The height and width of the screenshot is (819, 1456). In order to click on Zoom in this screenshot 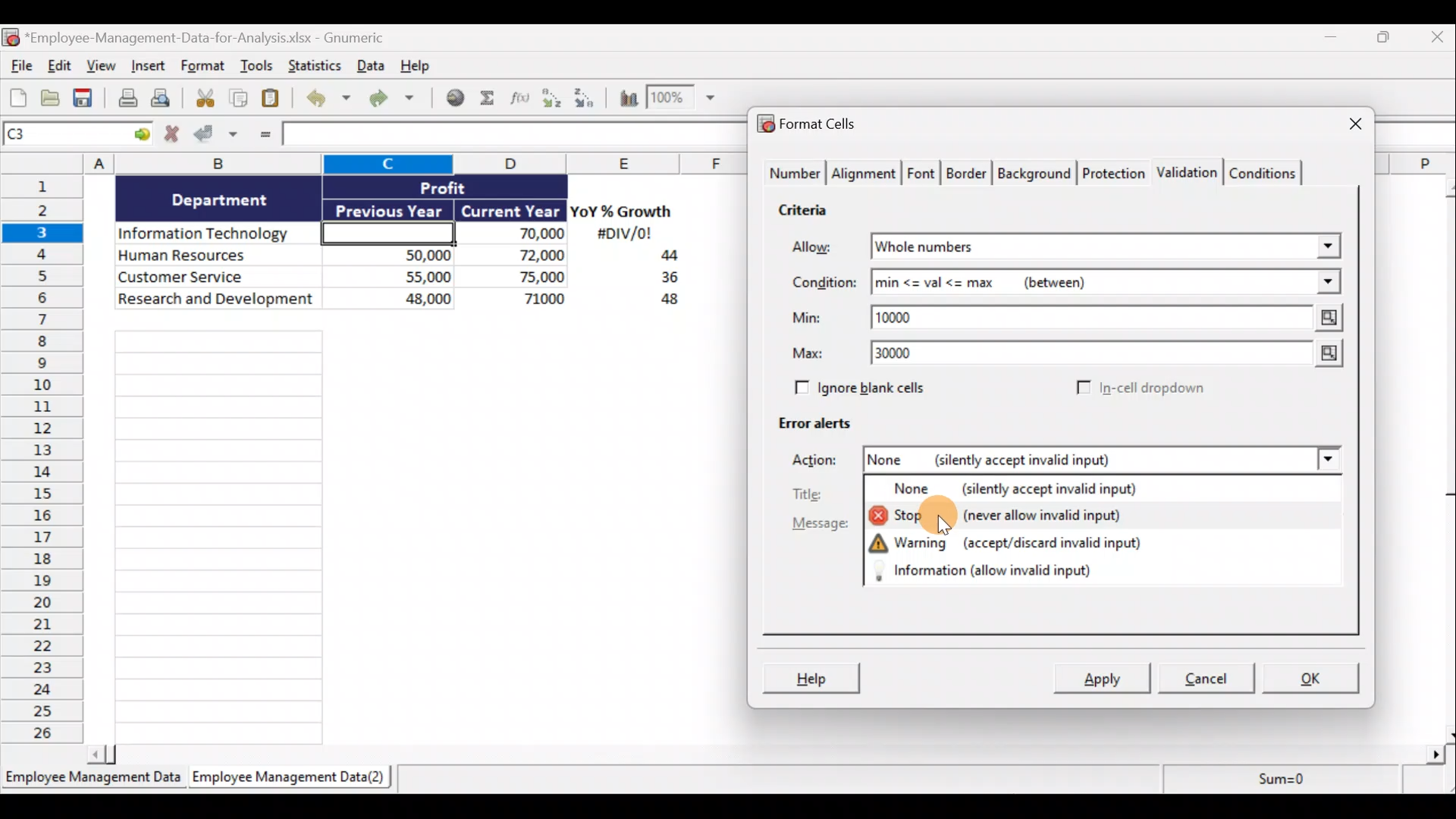, I will do `click(685, 101)`.